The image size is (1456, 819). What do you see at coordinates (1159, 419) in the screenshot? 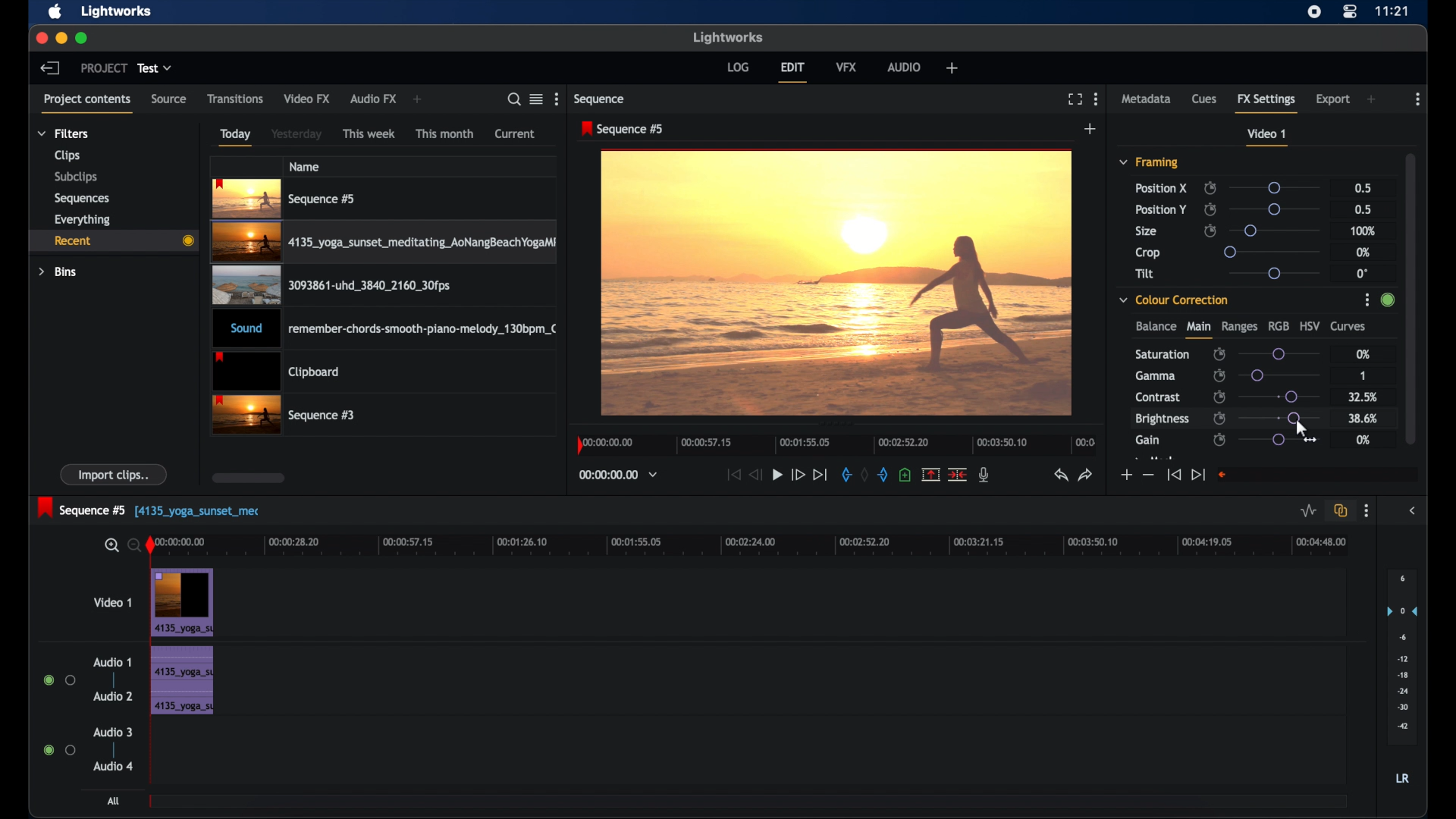
I see `brightness` at bounding box center [1159, 419].